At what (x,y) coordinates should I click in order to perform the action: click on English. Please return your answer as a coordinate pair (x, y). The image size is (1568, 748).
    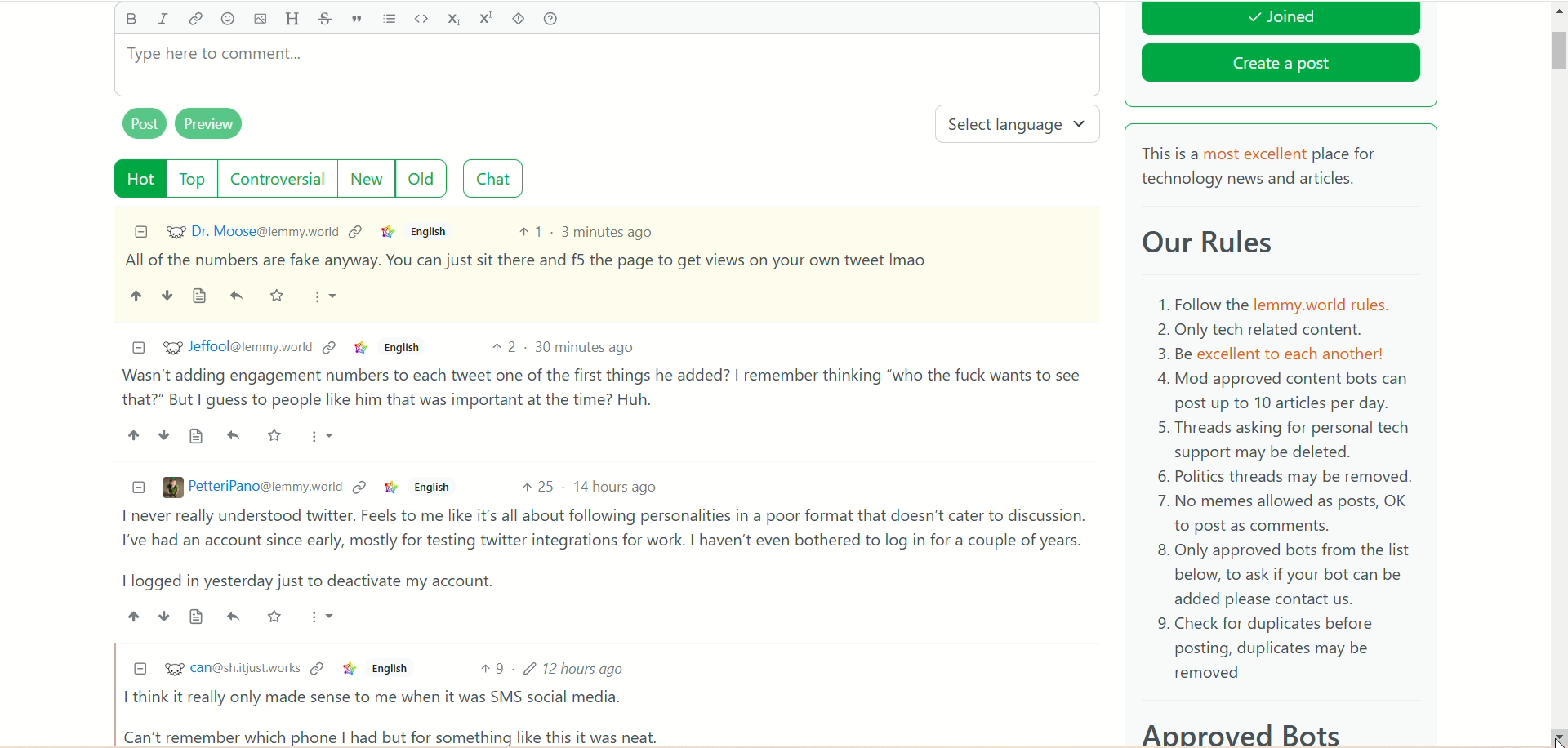
    Looking at the image, I should click on (432, 232).